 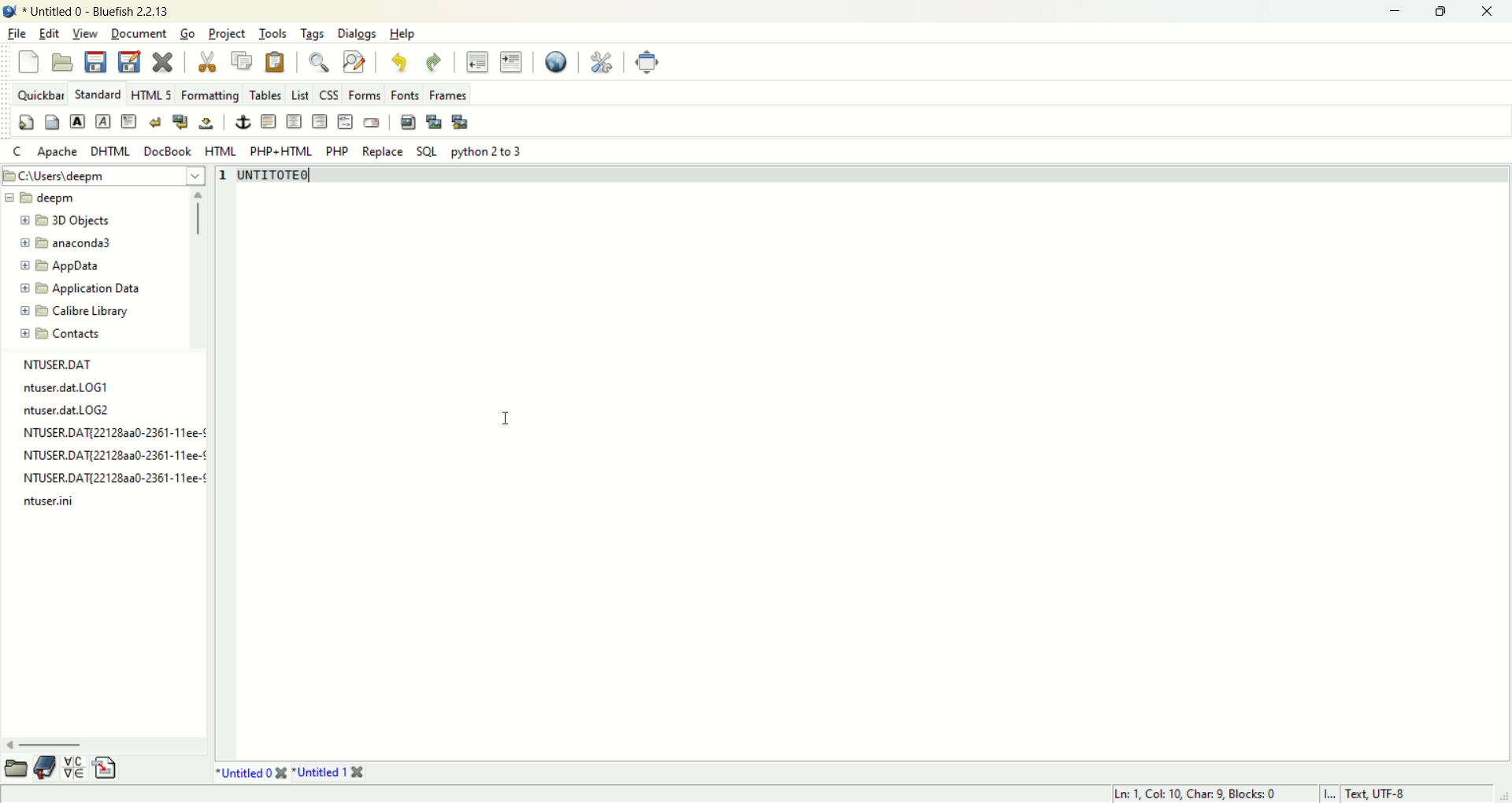 What do you see at coordinates (200, 216) in the screenshot?
I see `scroll bar` at bounding box center [200, 216].